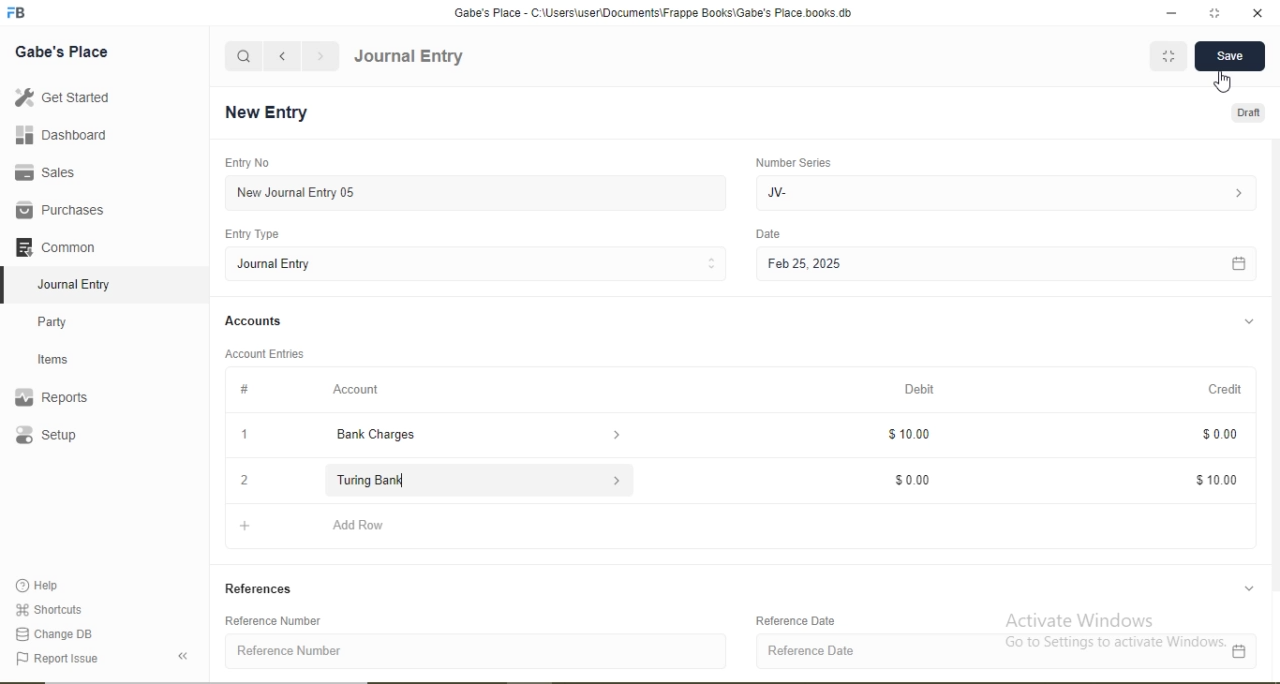 The image size is (1280, 684). Describe the element at coordinates (1166, 56) in the screenshot. I see `MINIMIZE WINDOW` at that location.